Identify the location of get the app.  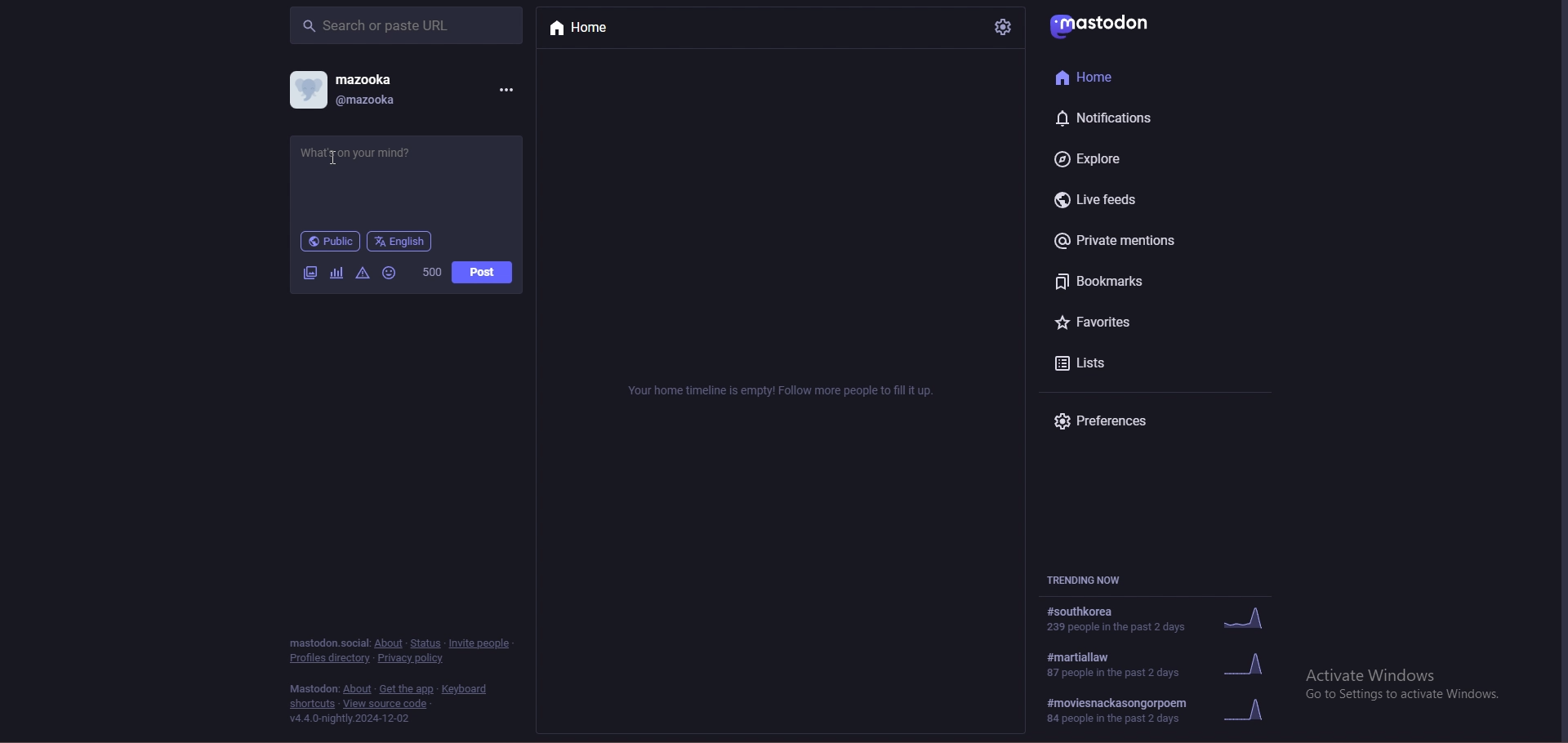
(406, 689).